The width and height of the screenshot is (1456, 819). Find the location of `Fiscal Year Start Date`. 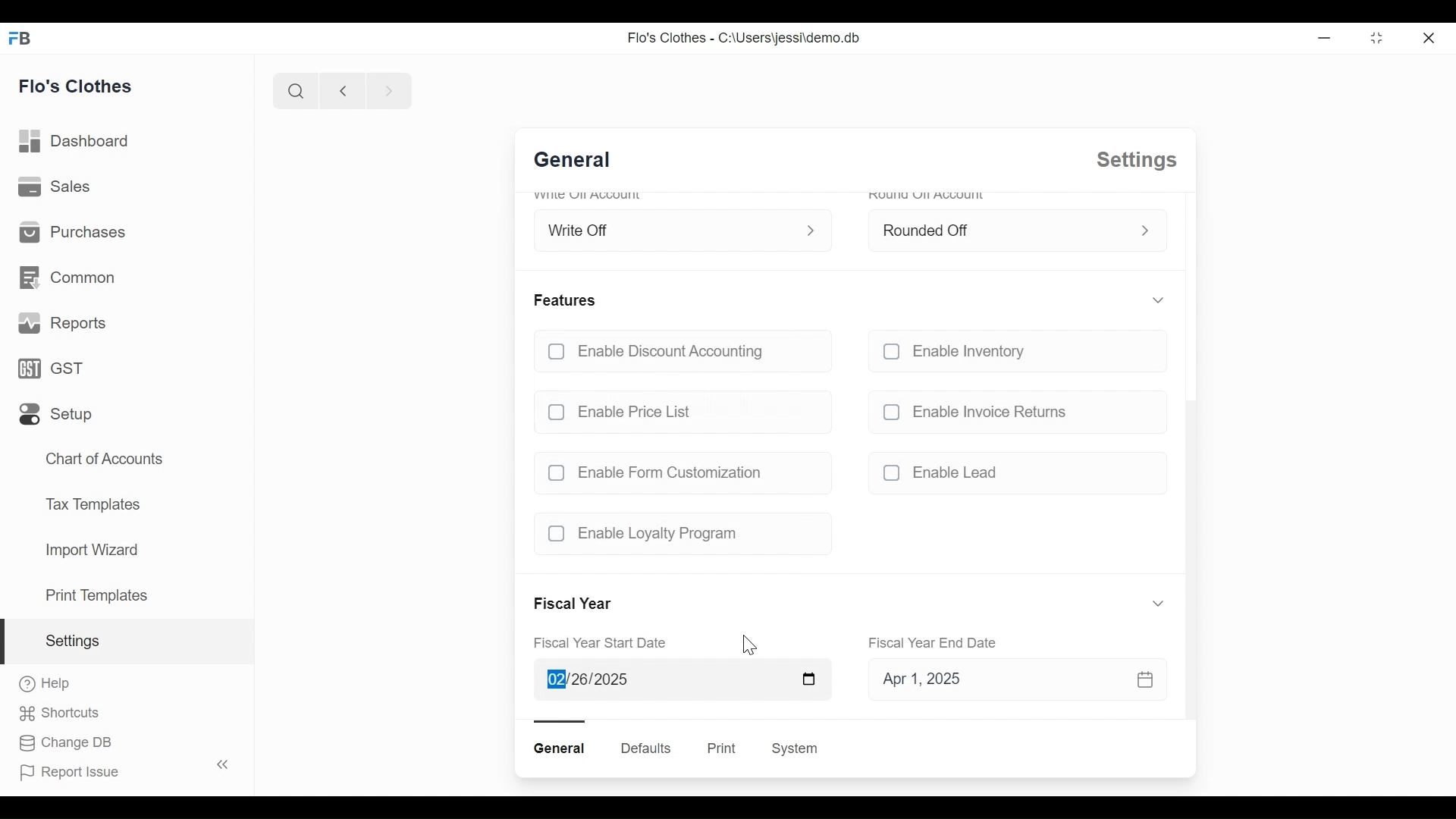

Fiscal Year Start Date is located at coordinates (606, 644).